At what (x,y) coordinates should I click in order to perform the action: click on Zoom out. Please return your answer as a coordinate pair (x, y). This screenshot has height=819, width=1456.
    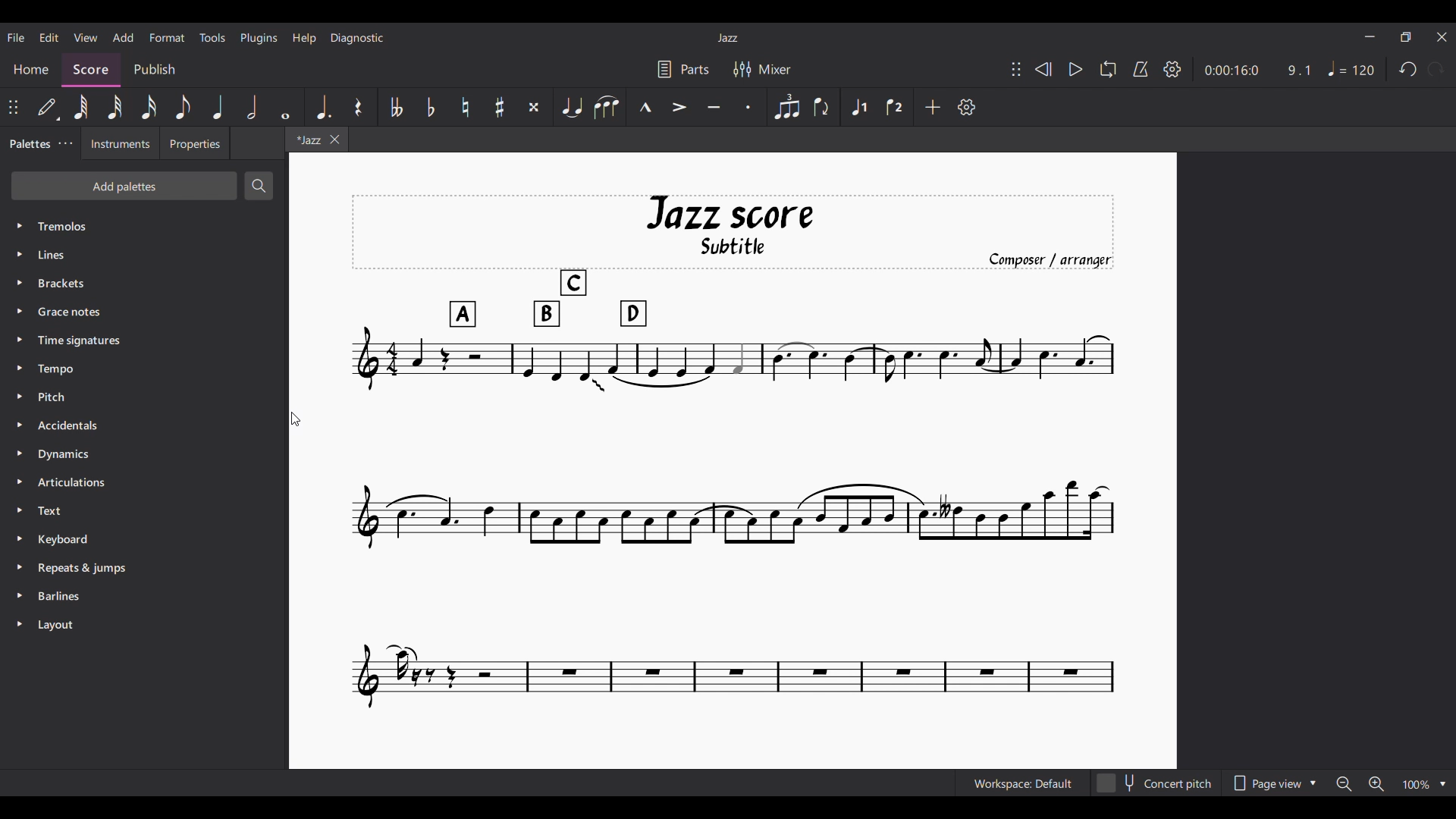
    Looking at the image, I should click on (1345, 784).